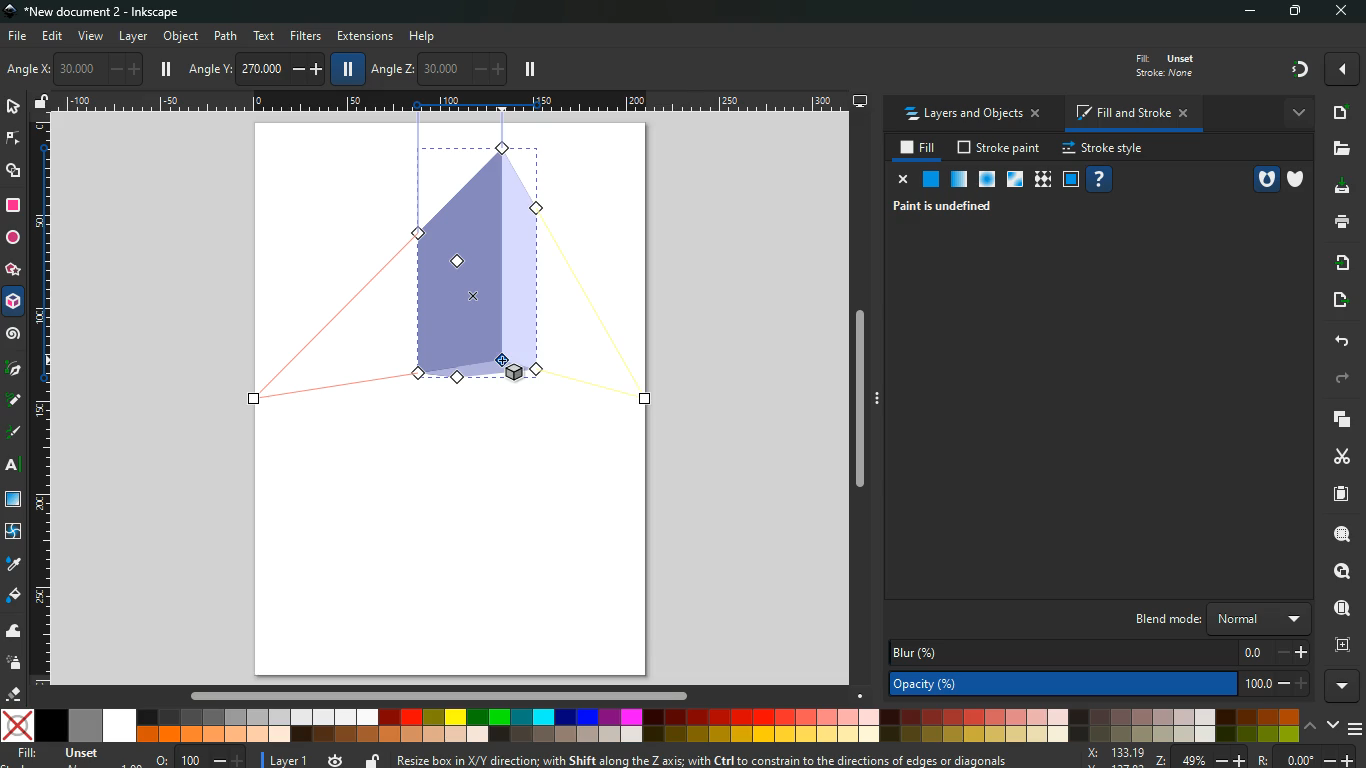 This screenshot has width=1366, height=768. Describe the element at coordinates (1341, 221) in the screenshot. I see `print` at that location.